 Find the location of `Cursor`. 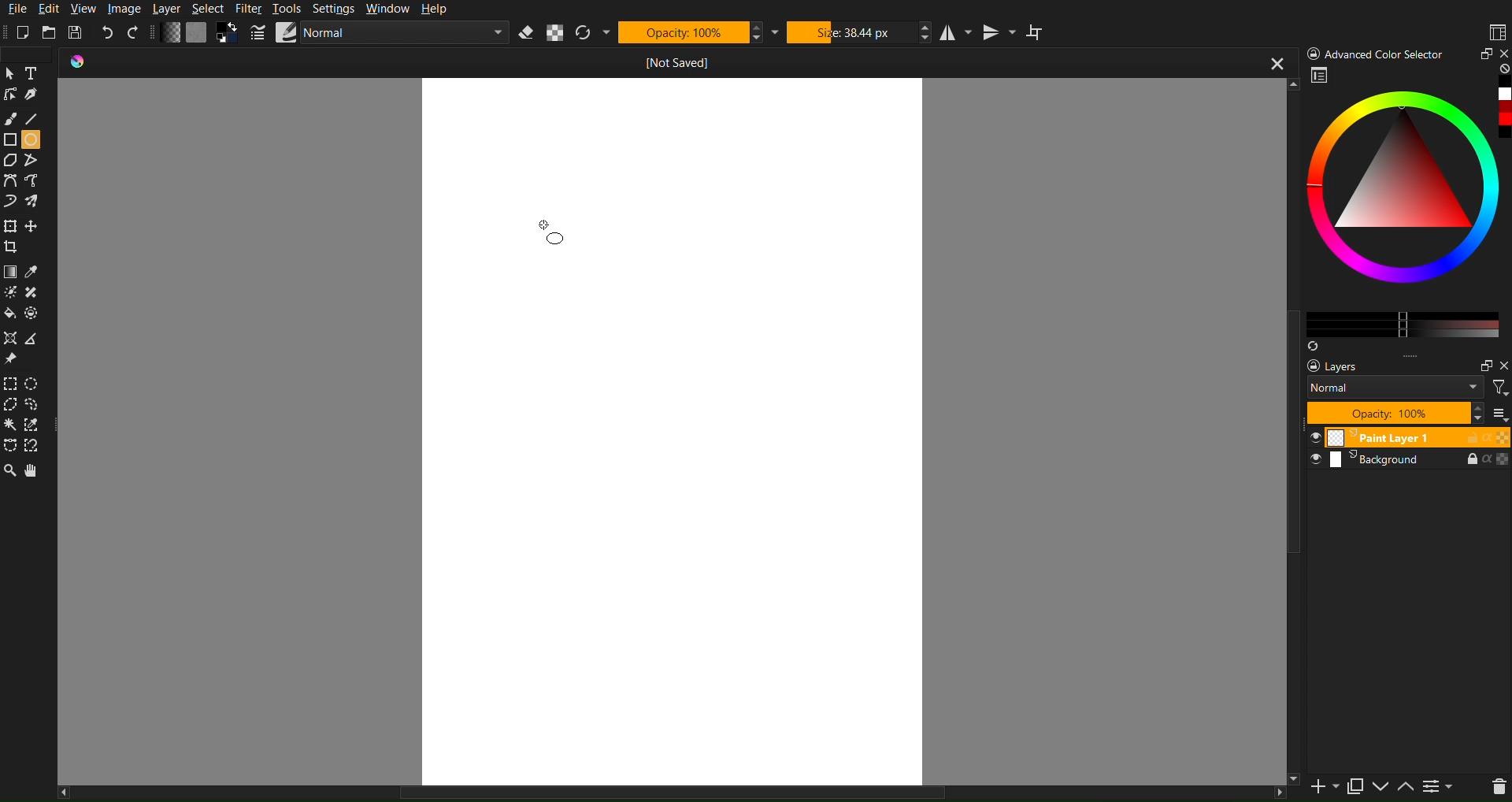

Cursor is located at coordinates (545, 230).